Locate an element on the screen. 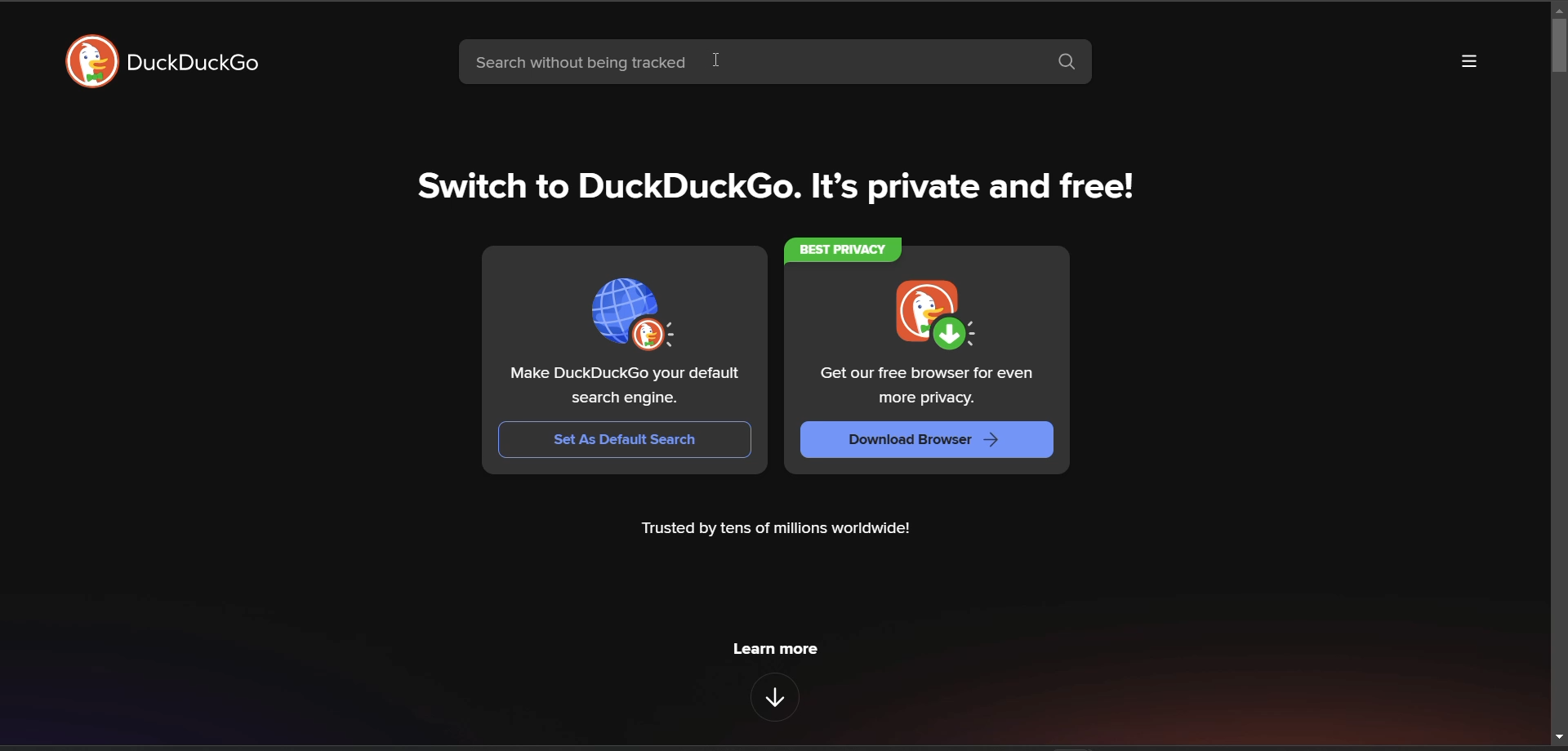 Image resolution: width=1568 pixels, height=751 pixels. Cursor is located at coordinates (717, 60).